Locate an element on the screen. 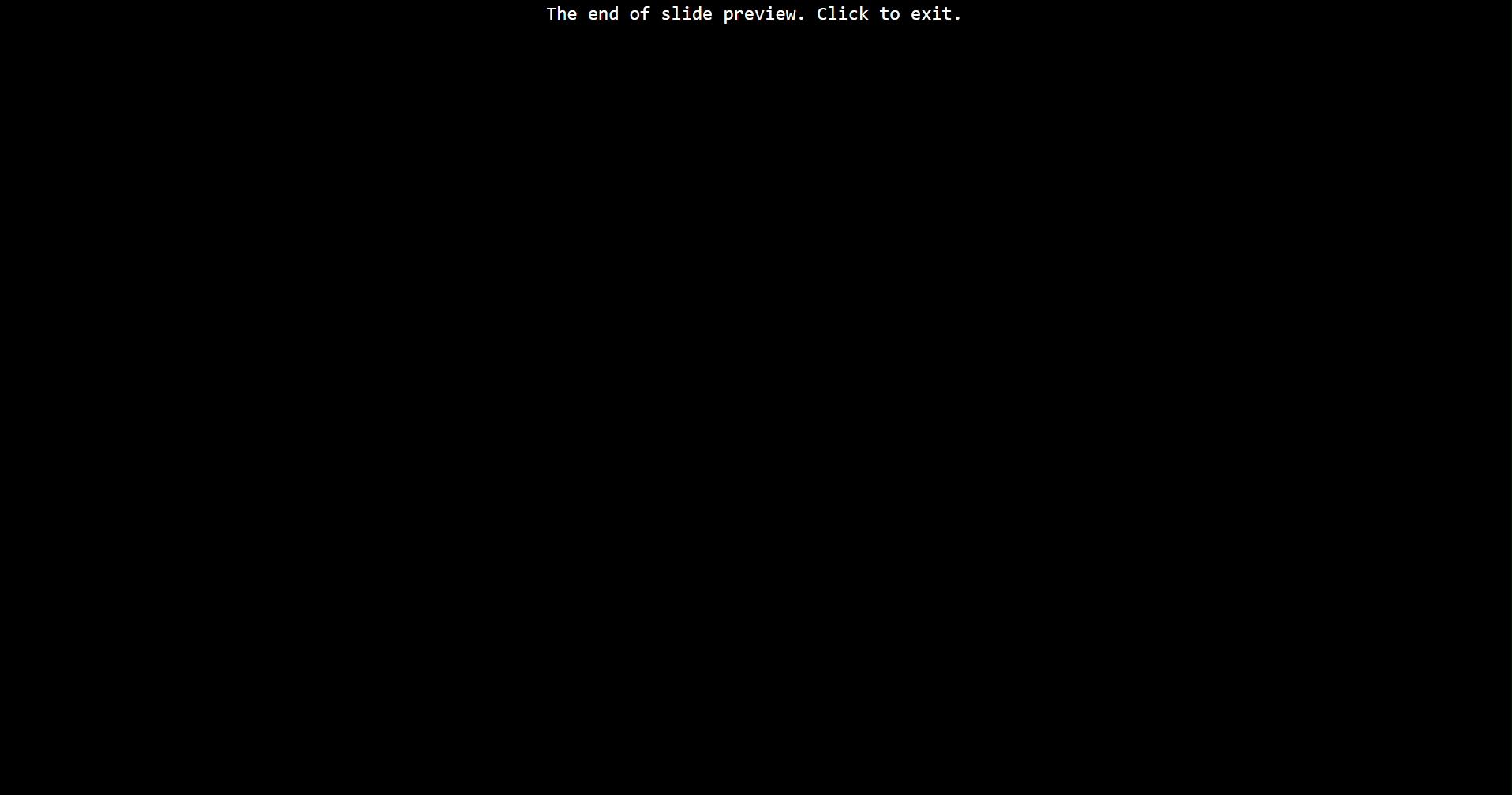 The width and height of the screenshot is (1512, 795). Cursor Position is located at coordinates (37, 783).